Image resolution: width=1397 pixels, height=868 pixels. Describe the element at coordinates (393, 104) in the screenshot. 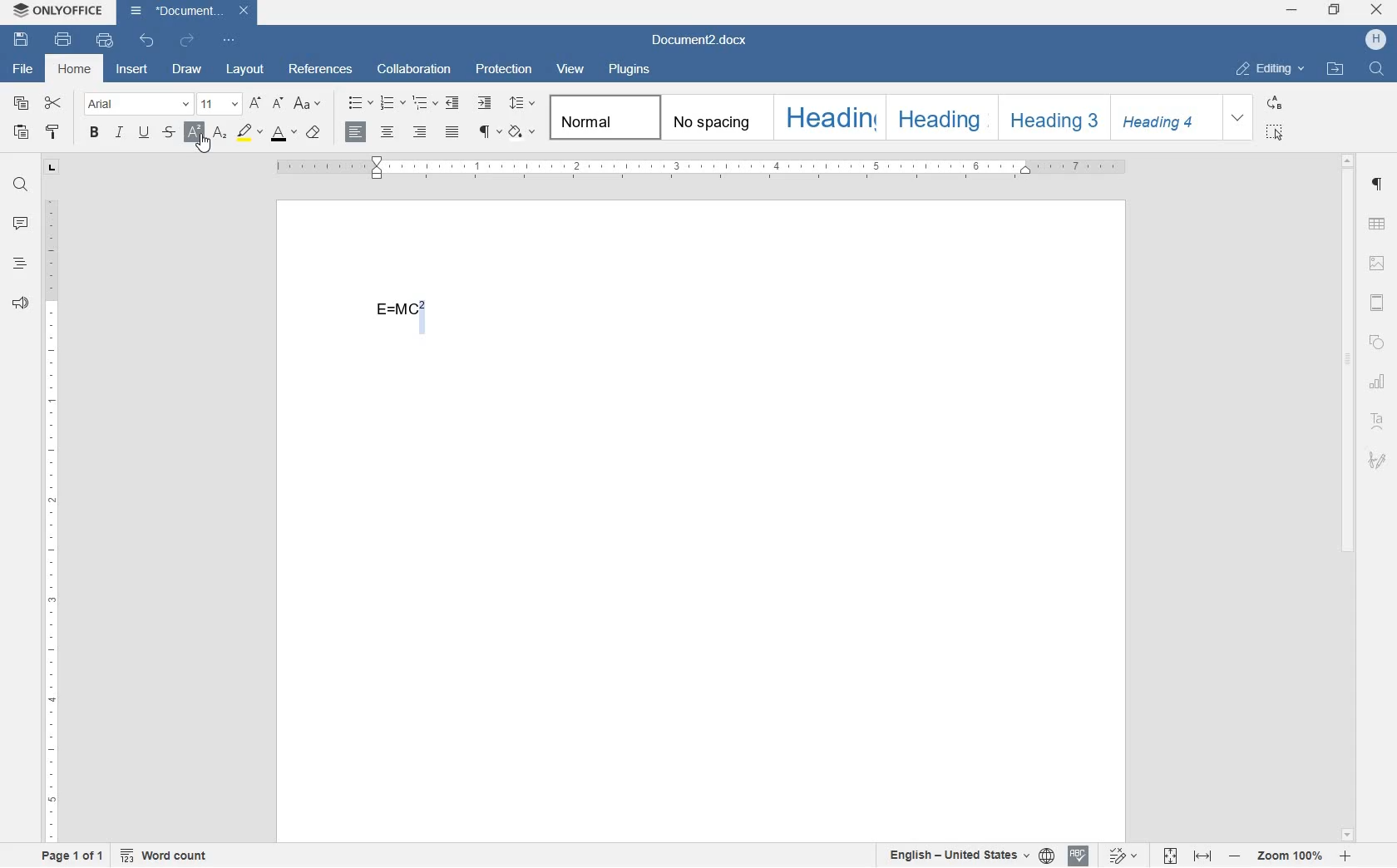

I see `numbering` at that location.